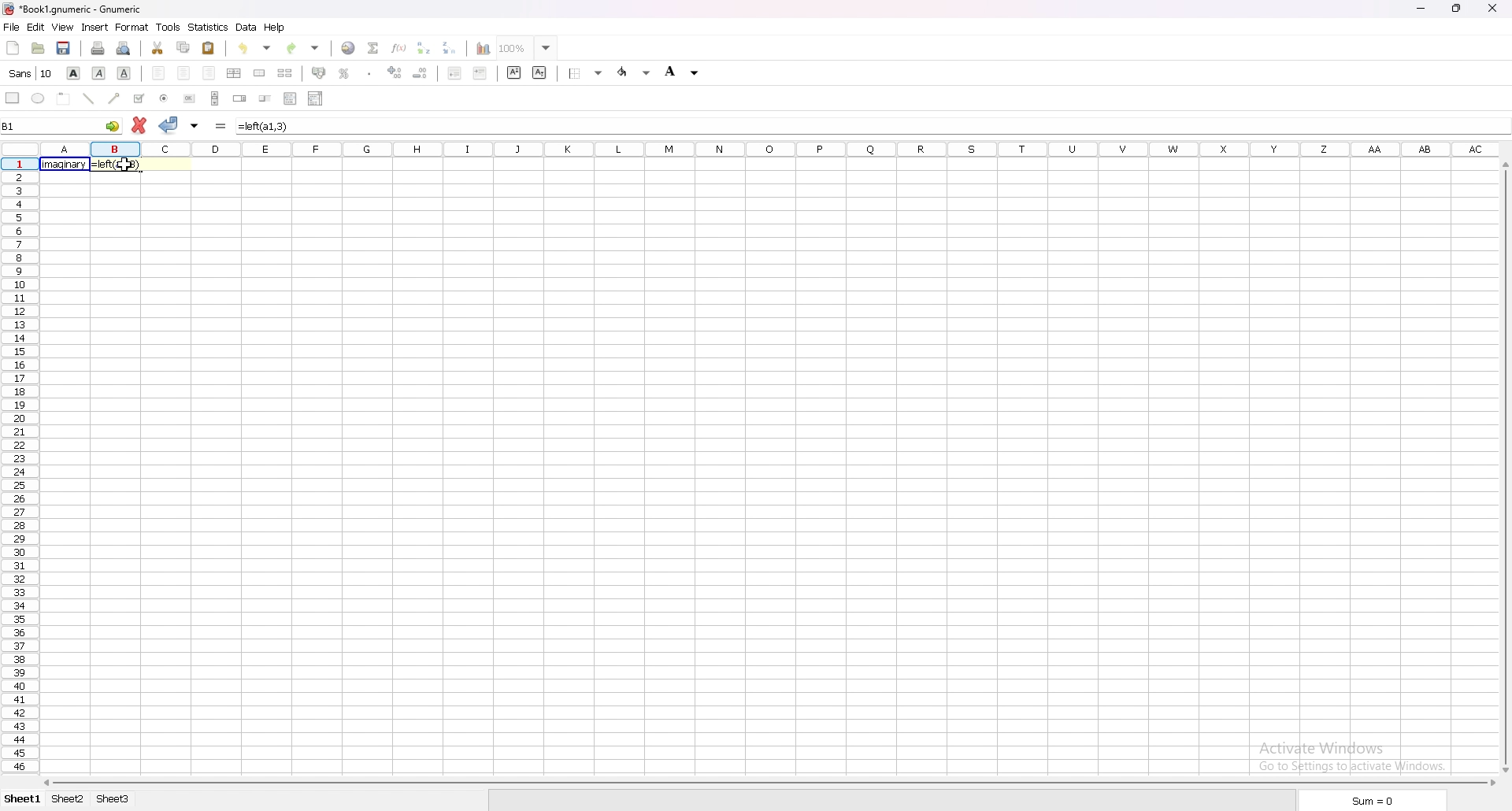  I want to click on cut, so click(157, 48).